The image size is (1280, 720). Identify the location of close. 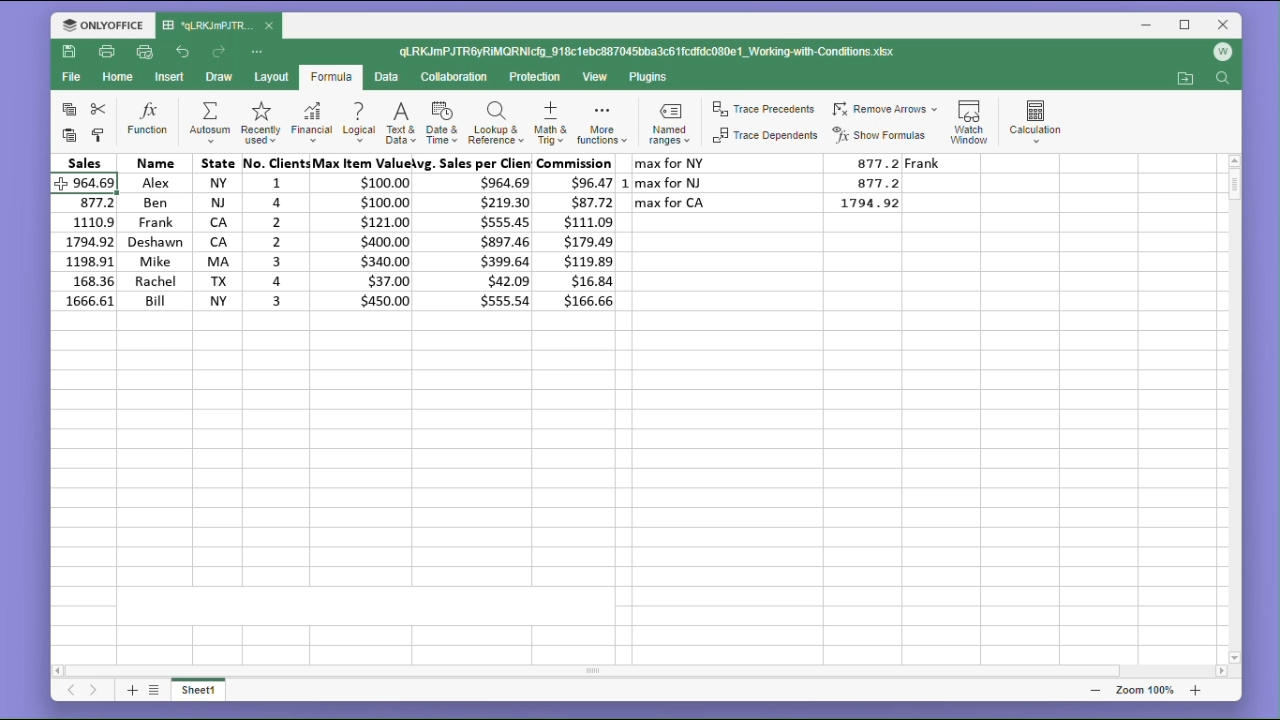
(270, 27).